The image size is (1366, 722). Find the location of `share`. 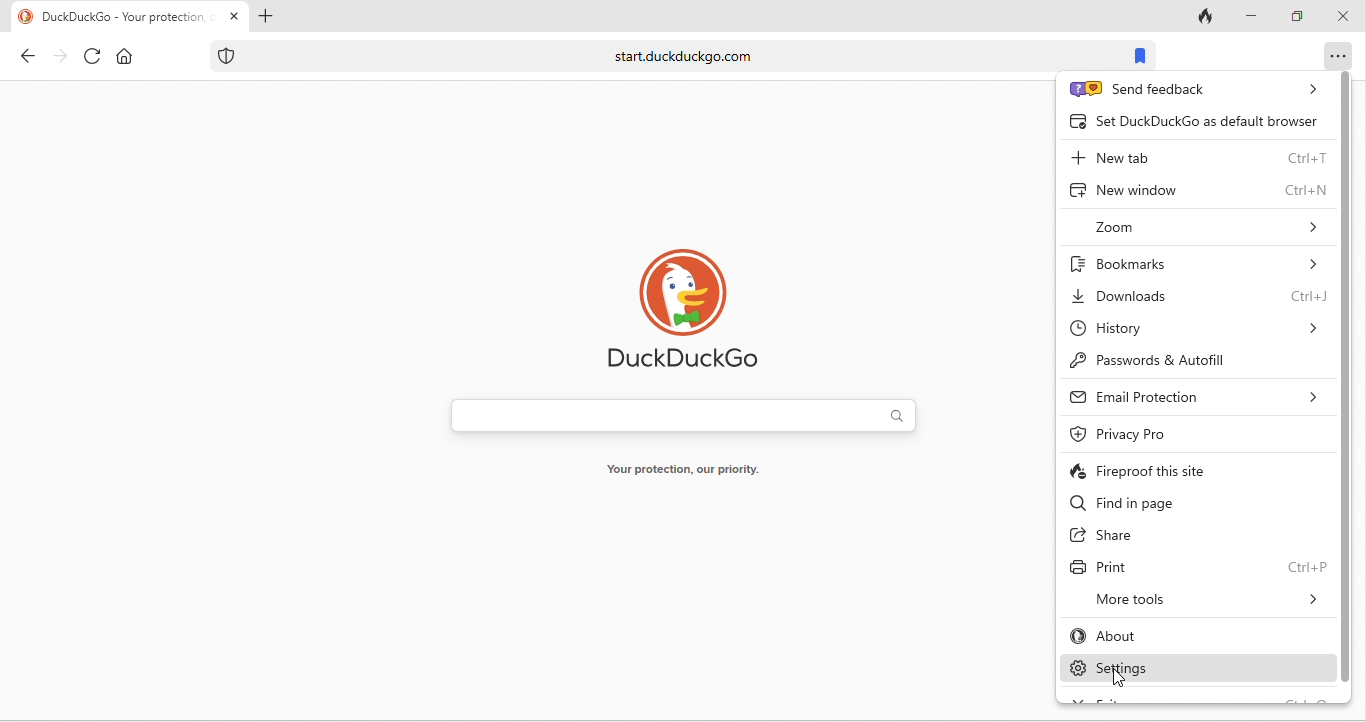

share is located at coordinates (1137, 536).